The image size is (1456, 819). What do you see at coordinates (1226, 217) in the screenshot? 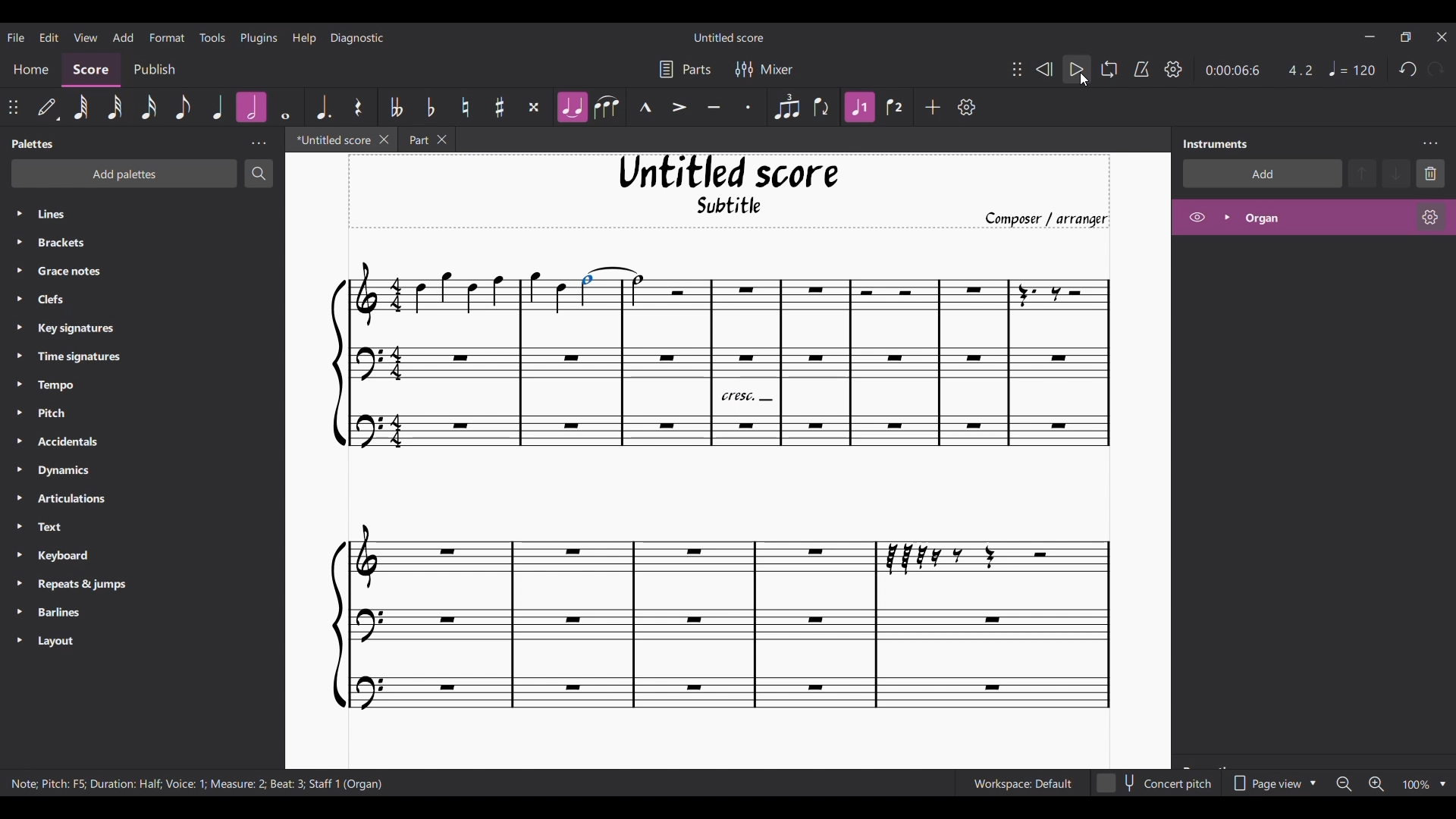
I see `Expand` at bounding box center [1226, 217].